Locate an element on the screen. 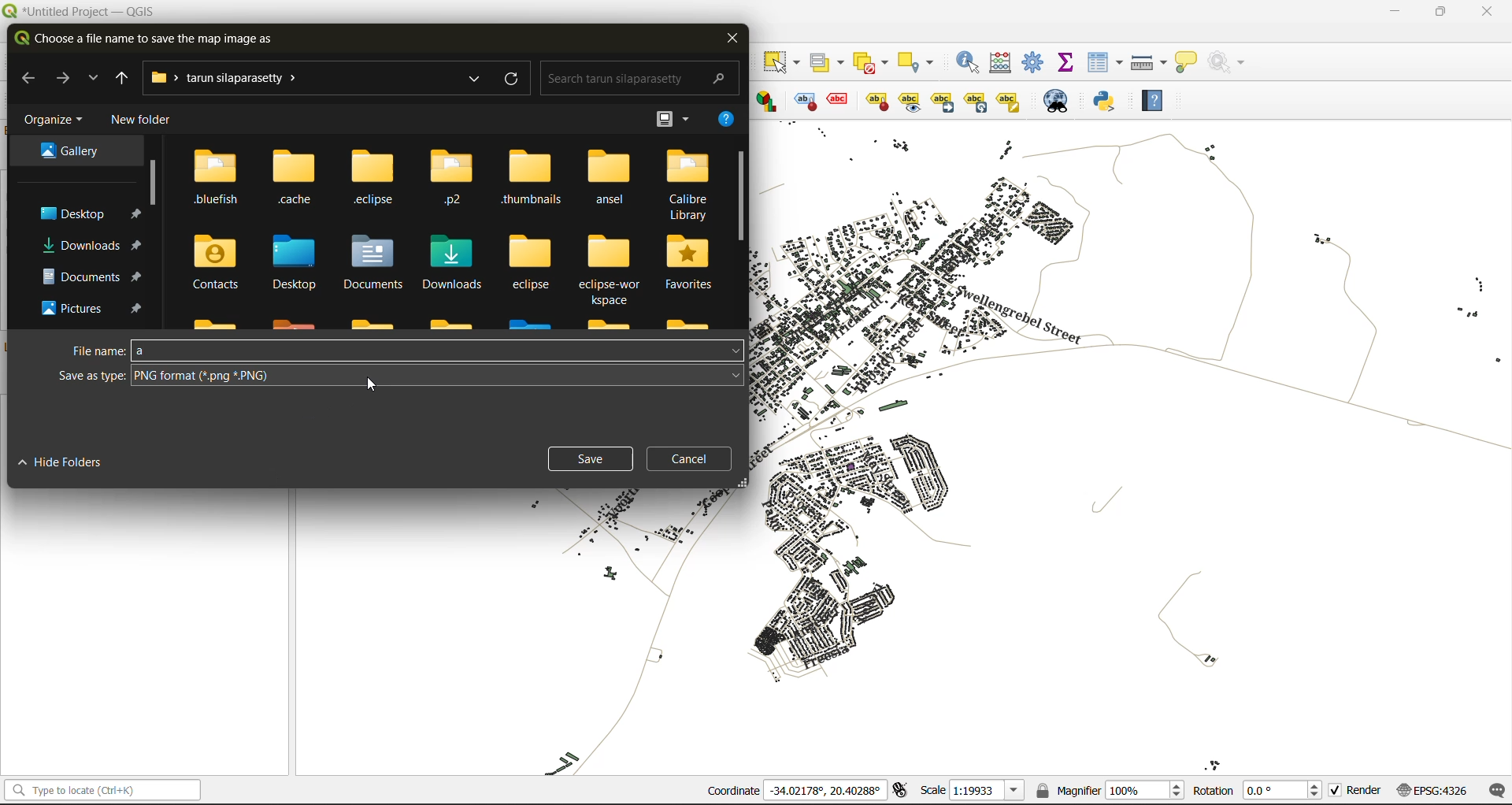 This screenshot has height=805, width=1512. Layer diagram options is located at coordinates (768, 101).